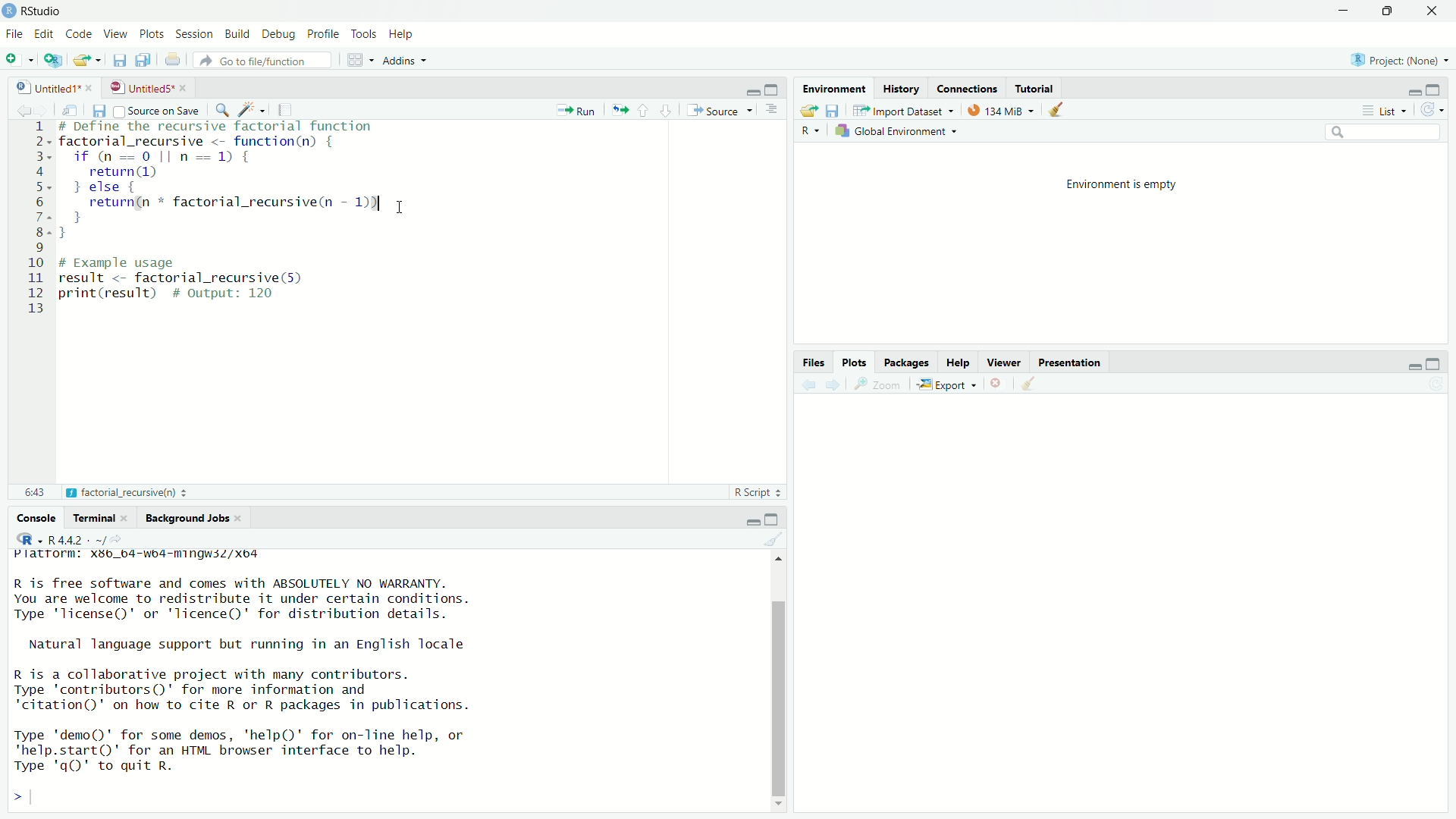 The image size is (1456, 819). Describe the element at coordinates (814, 362) in the screenshot. I see `Files` at that location.